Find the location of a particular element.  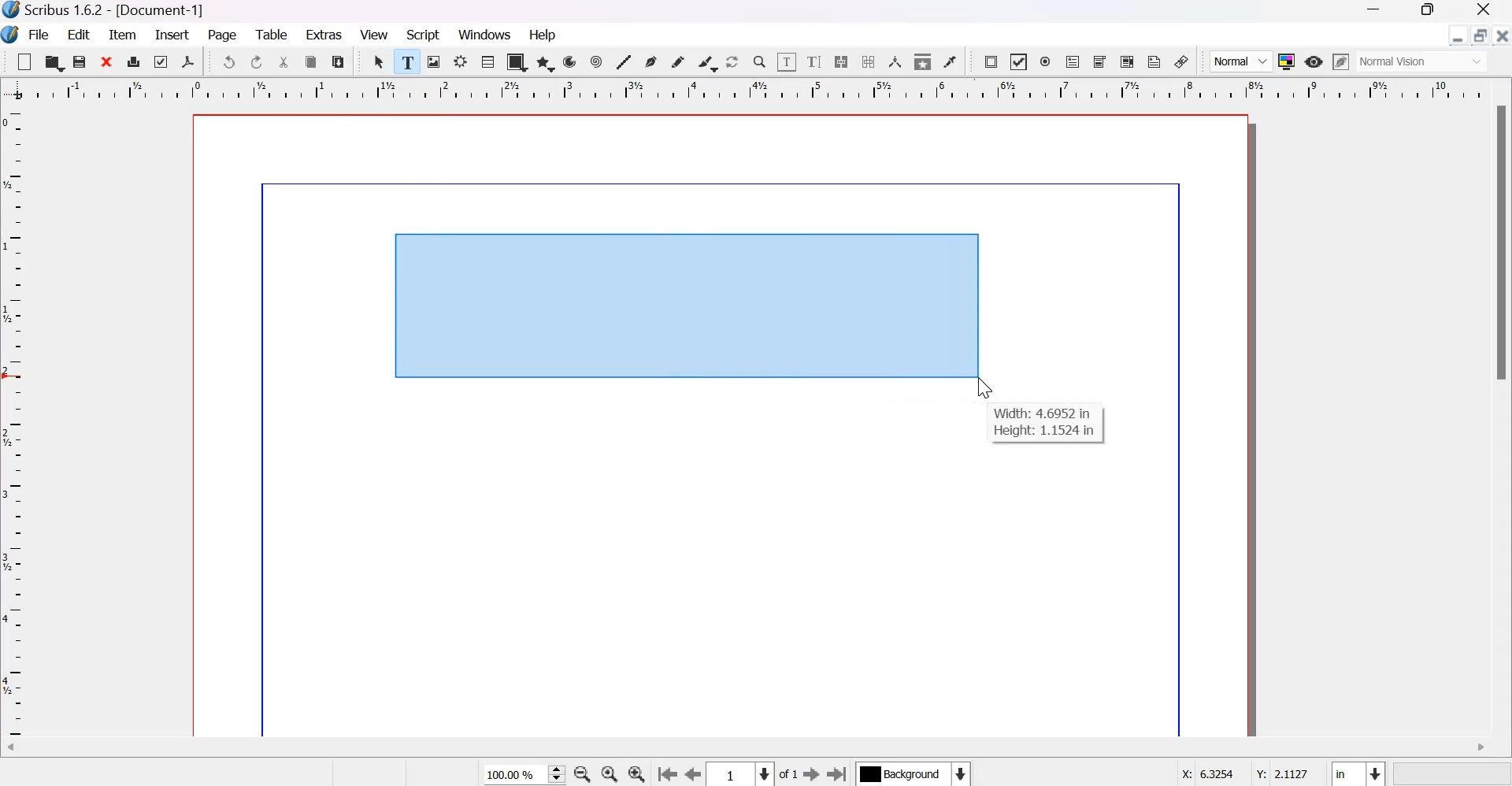

go to the previous page is located at coordinates (694, 775).